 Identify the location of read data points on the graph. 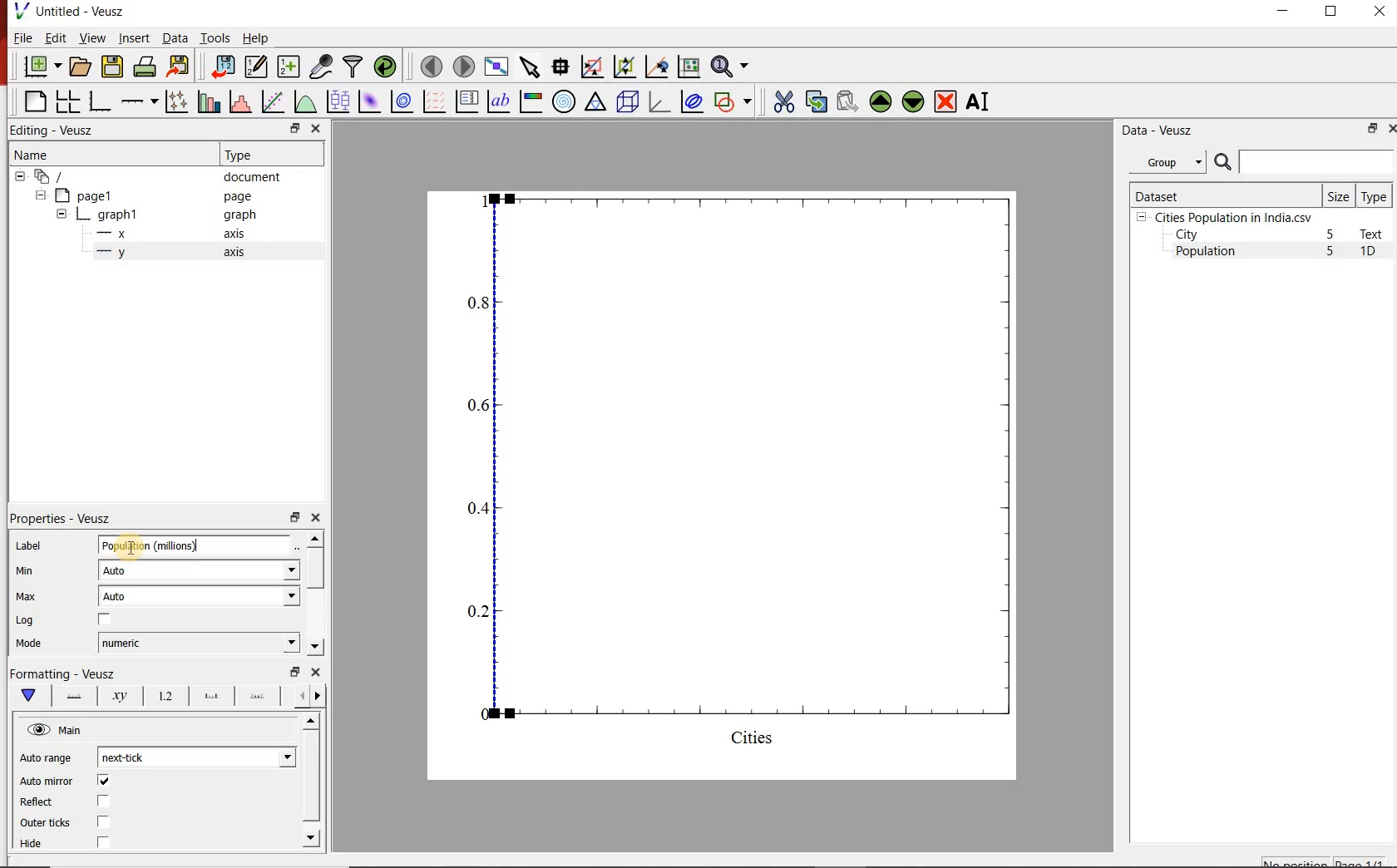
(560, 65).